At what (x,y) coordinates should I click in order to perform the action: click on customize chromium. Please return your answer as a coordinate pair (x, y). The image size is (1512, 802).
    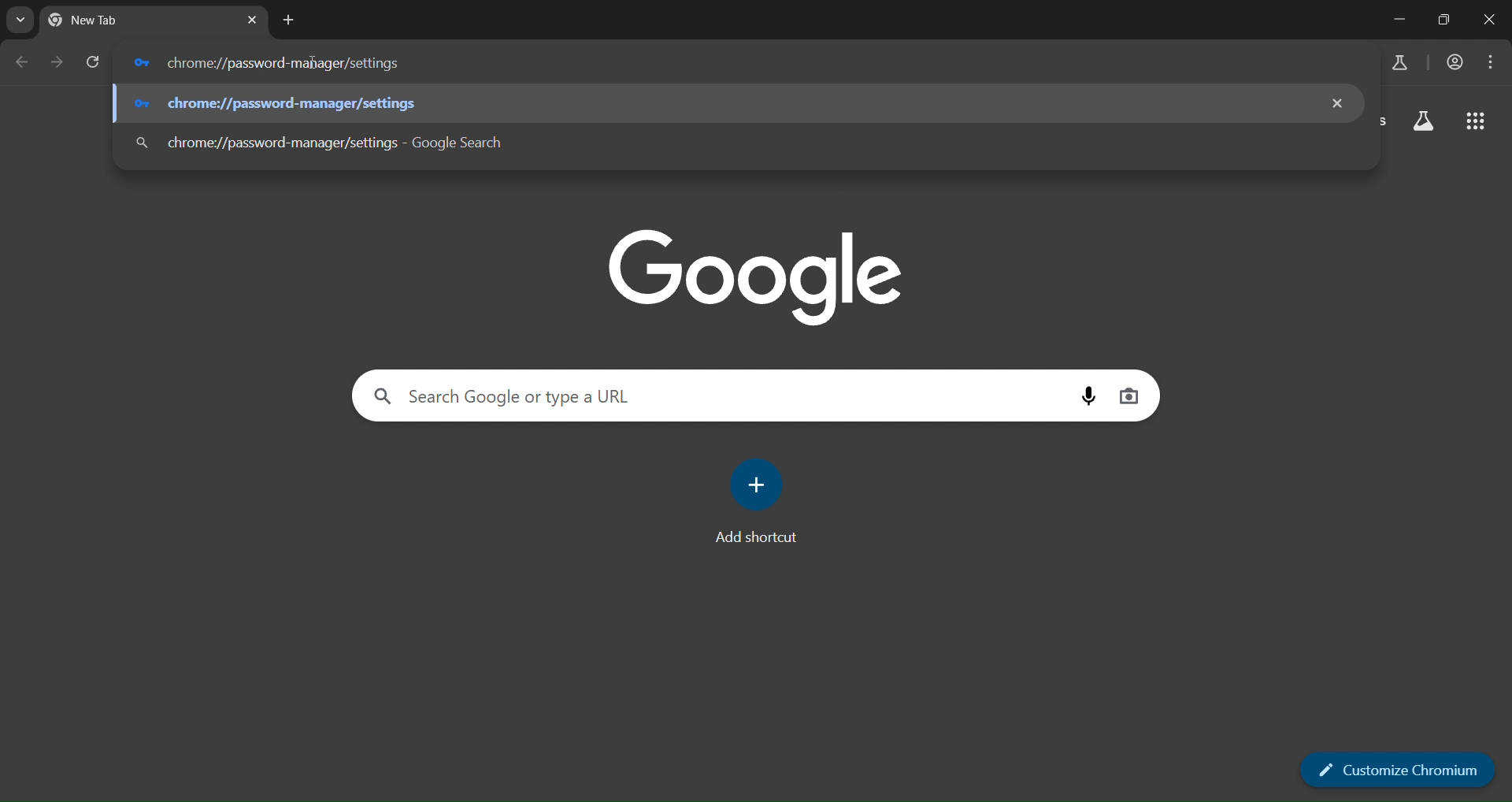
    Looking at the image, I should click on (1393, 769).